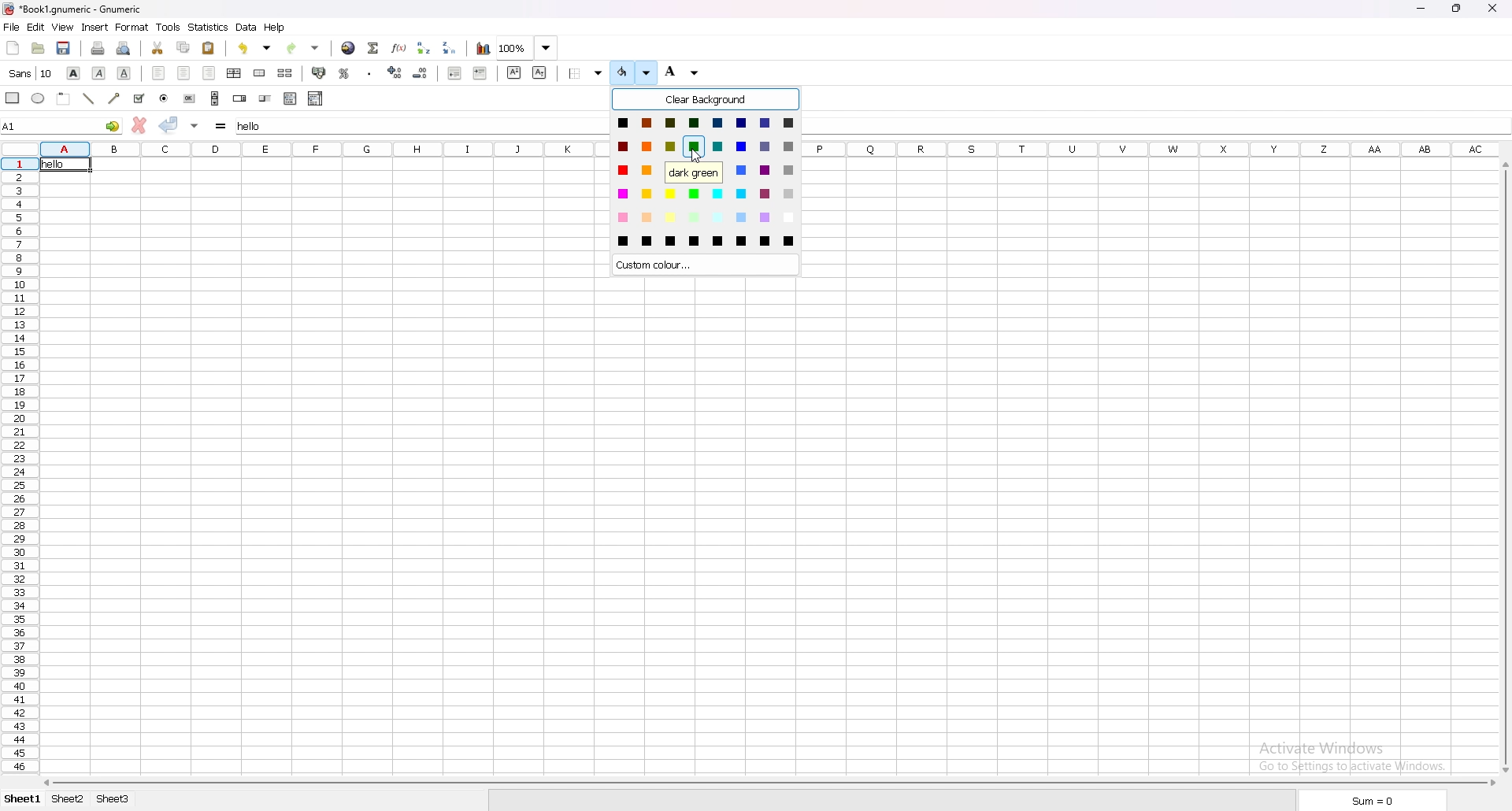 This screenshot has height=811, width=1512. What do you see at coordinates (319, 72) in the screenshot?
I see `accounting` at bounding box center [319, 72].